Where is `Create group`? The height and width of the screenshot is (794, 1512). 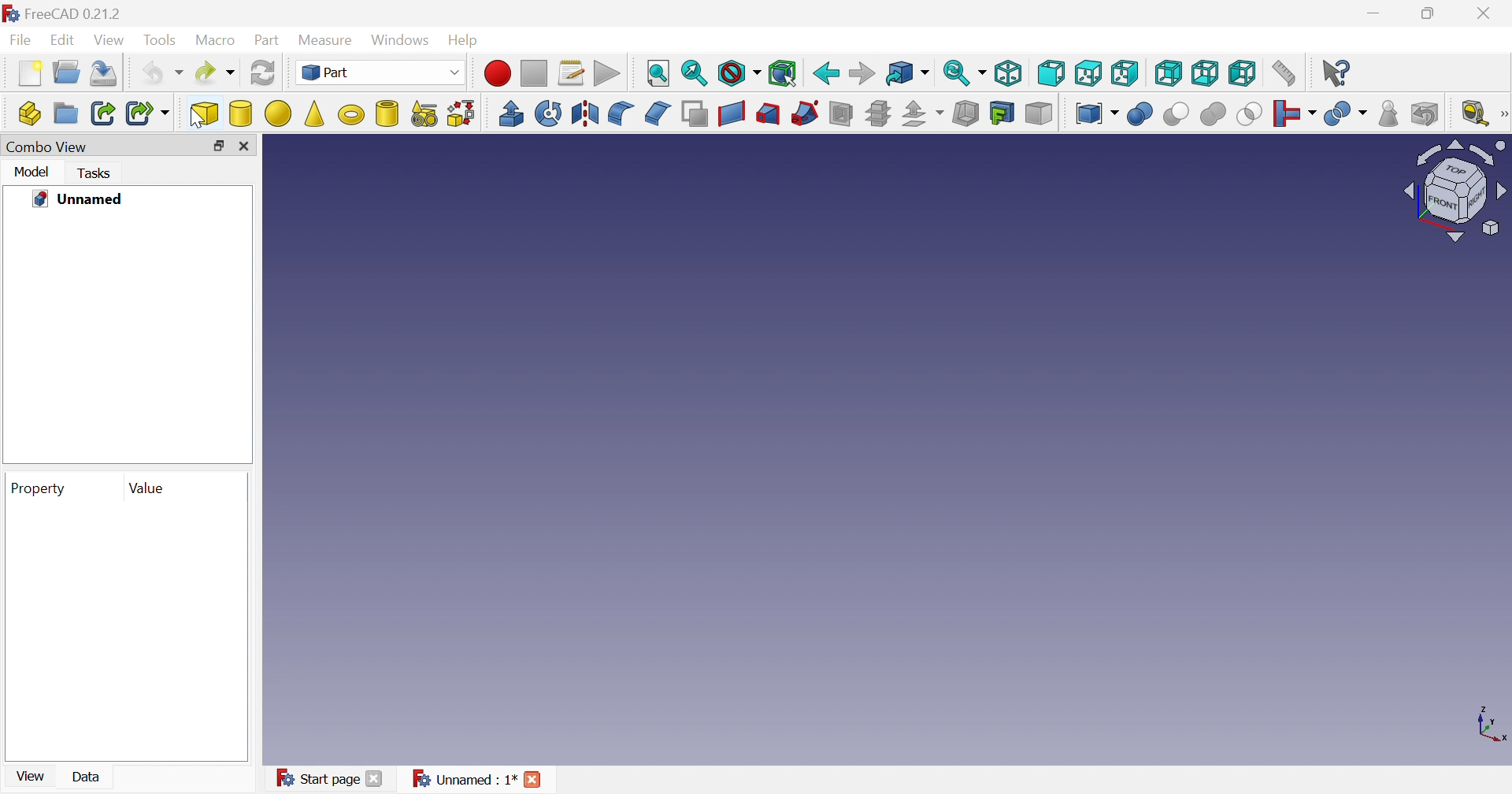 Create group is located at coordinates (64, 110).